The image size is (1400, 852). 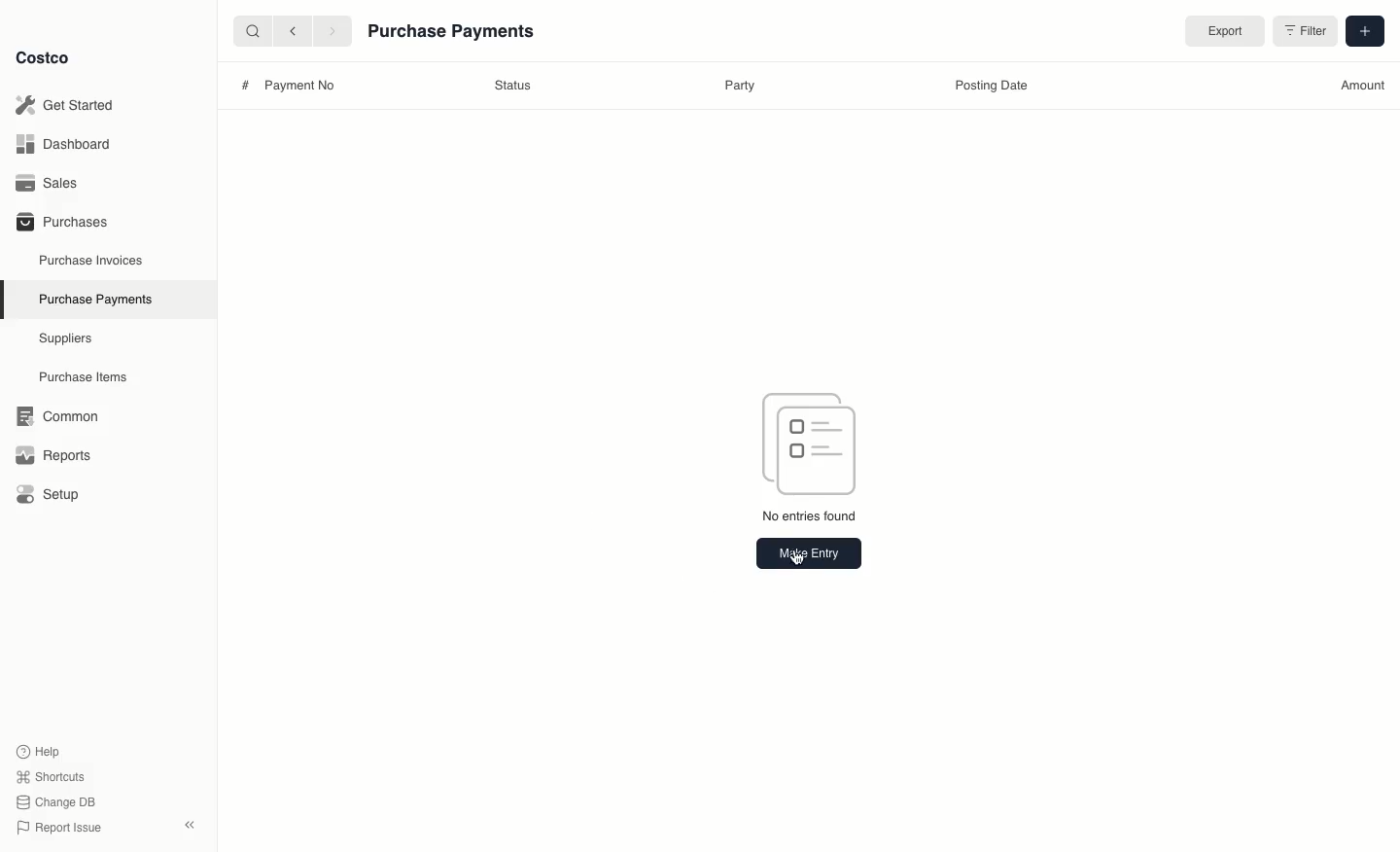 What do you see at coordinates (38, 750) in the screenshot?
I see `Help` at bounding box center [38, 750].